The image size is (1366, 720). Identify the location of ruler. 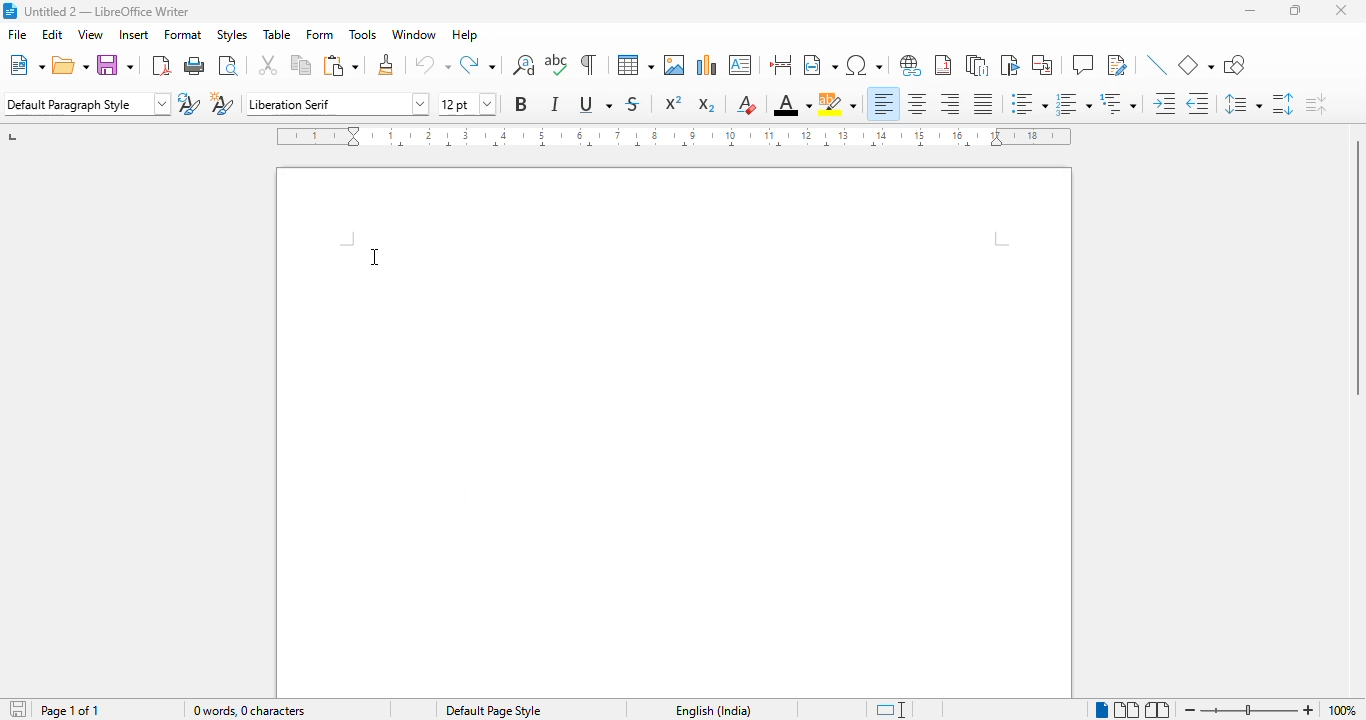
(674, 137).